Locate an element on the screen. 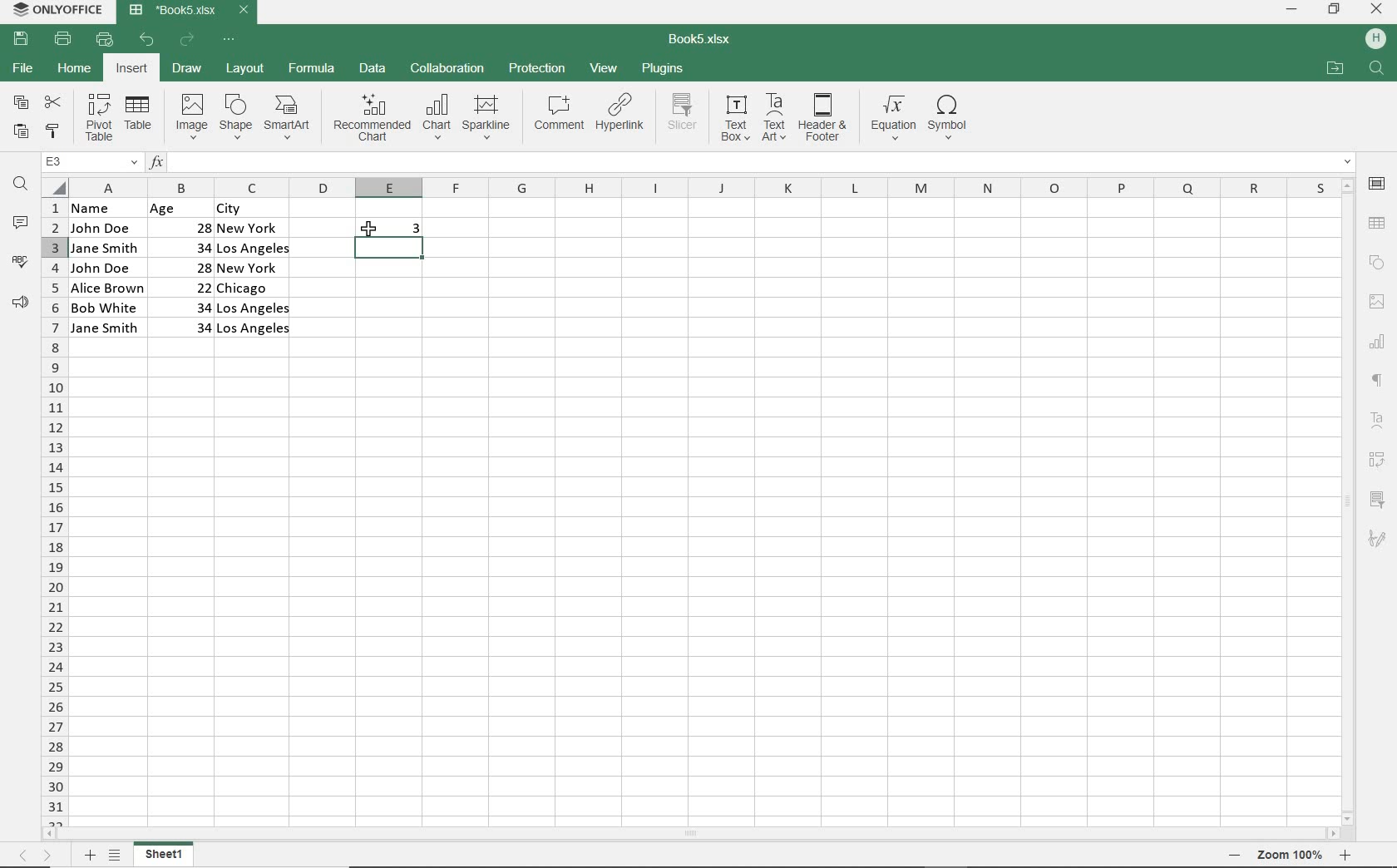 The width and height of the screenshot is (1397, 868). TEXT BOX is located at coordinates (733, 121).